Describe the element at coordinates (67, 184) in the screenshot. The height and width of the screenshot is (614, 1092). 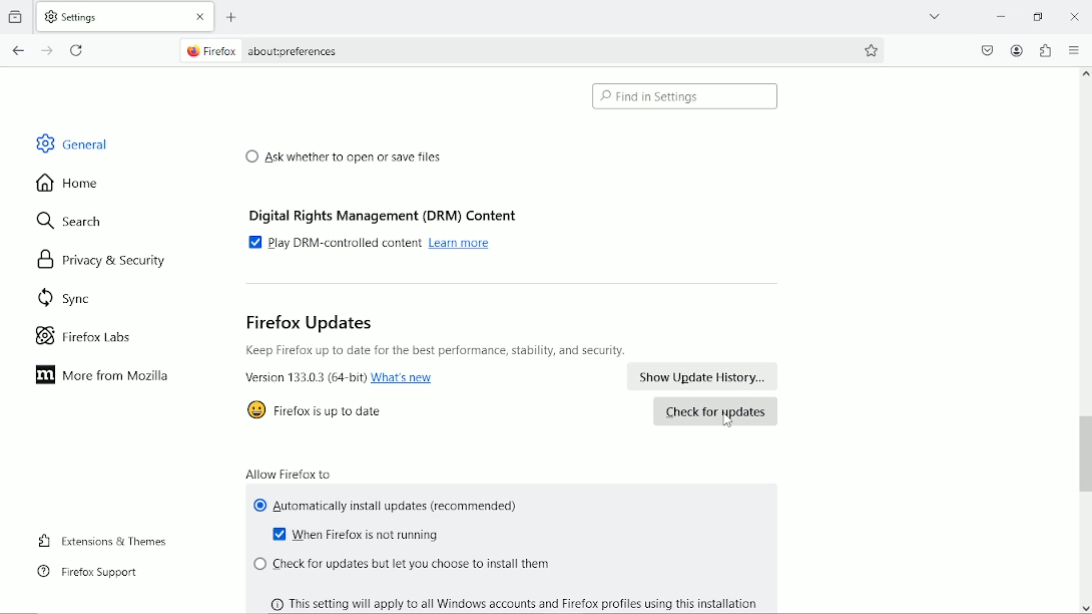
I see `home` at that location.